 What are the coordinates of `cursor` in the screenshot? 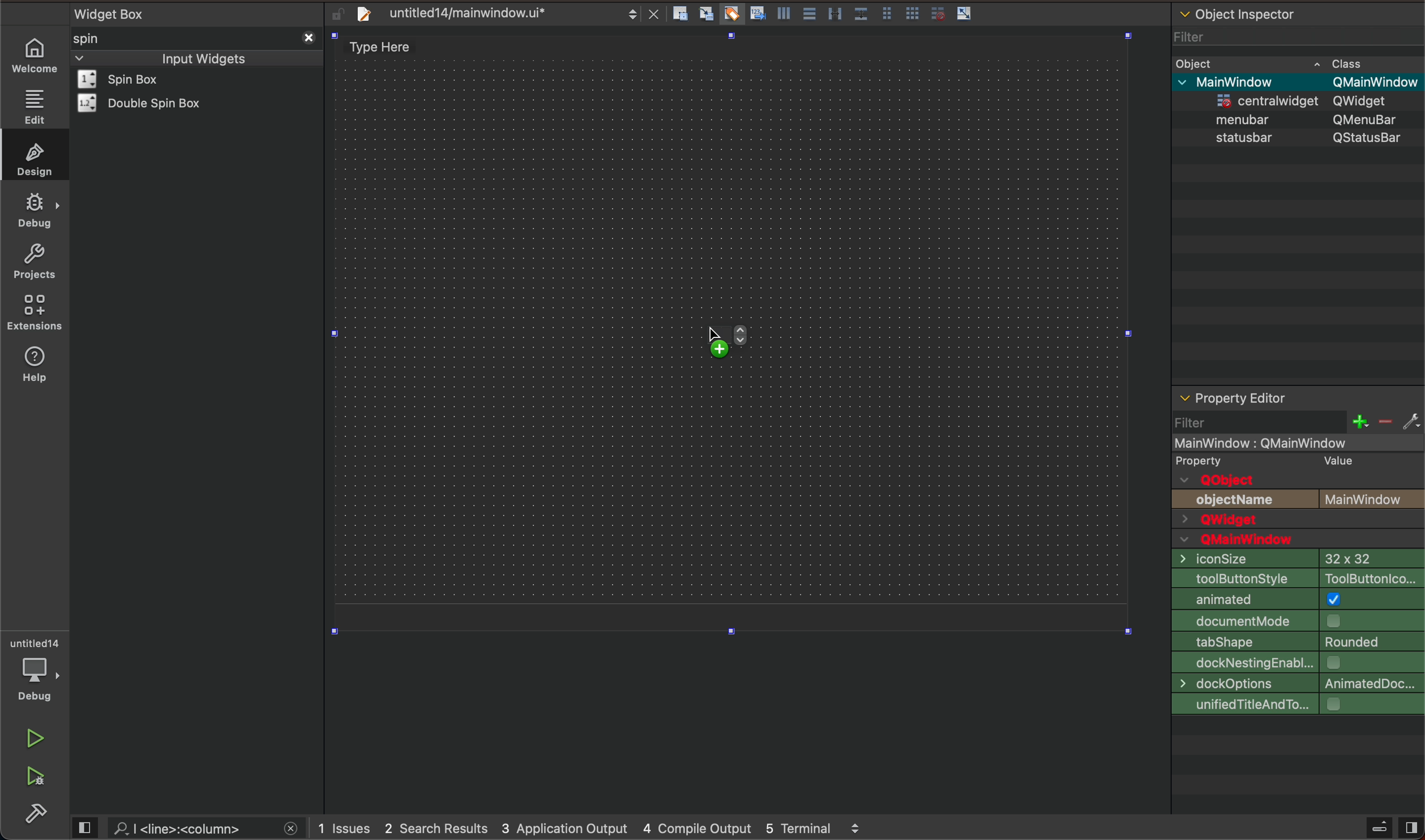 It's located at (713, 337).